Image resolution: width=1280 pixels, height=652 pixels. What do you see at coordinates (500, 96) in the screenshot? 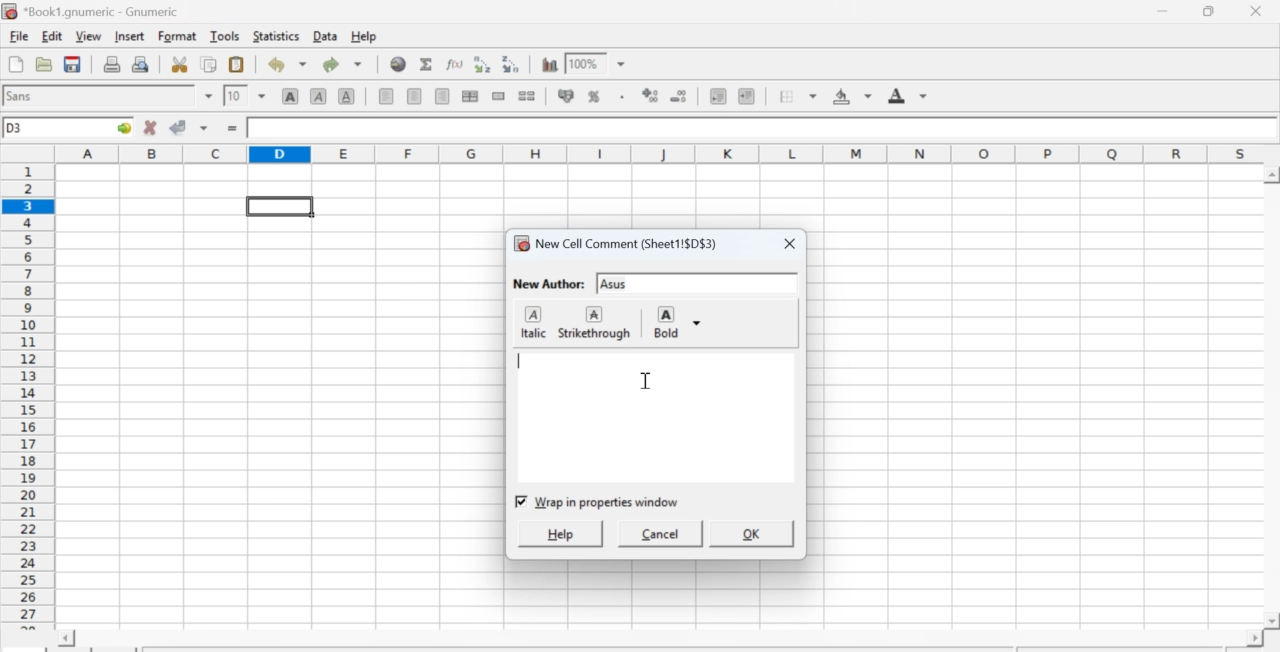
I see `Merge cells` at bounding box center [500, 96].